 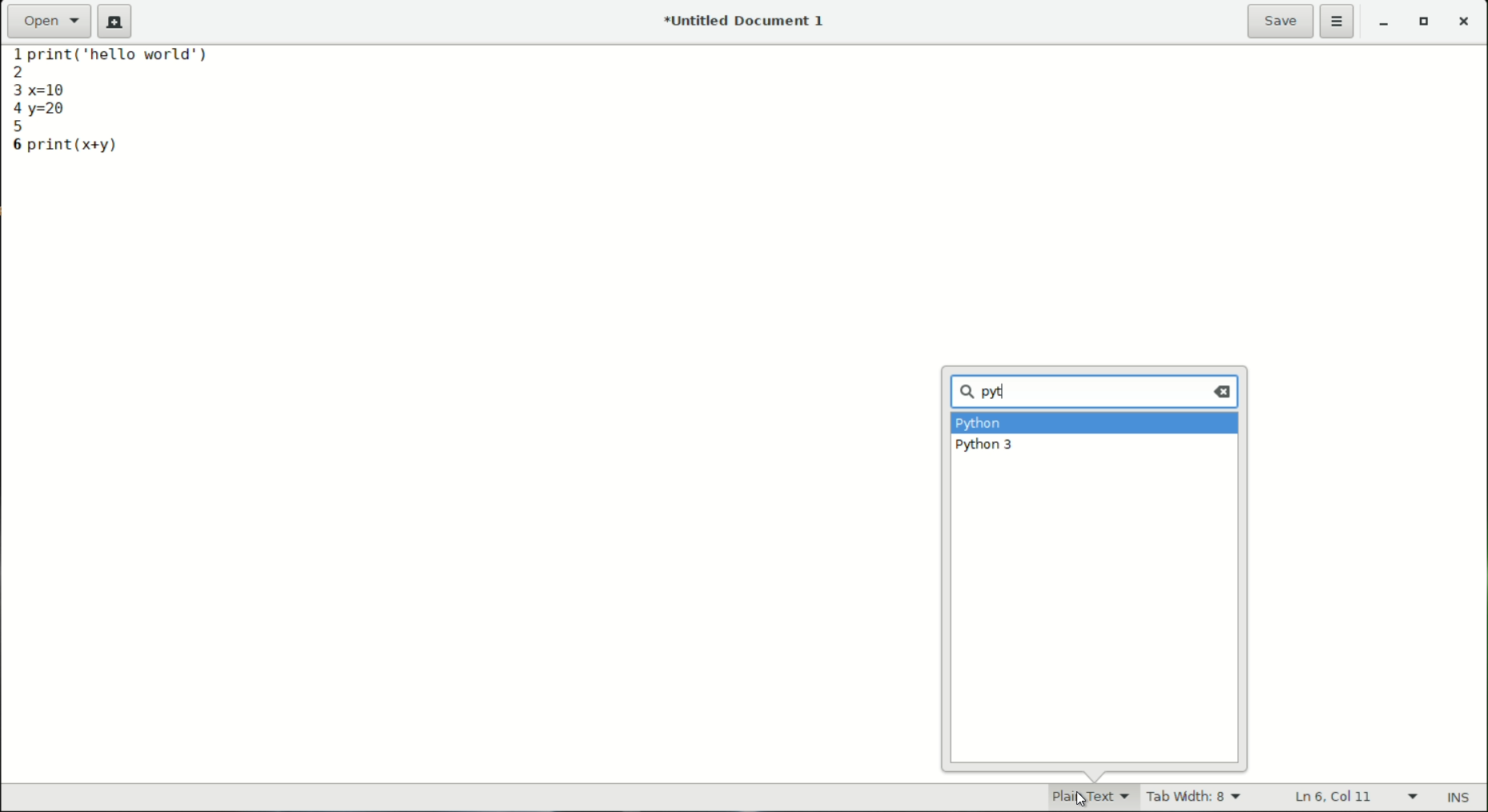 I want to click on cursor, so click(x=1006, y=391).